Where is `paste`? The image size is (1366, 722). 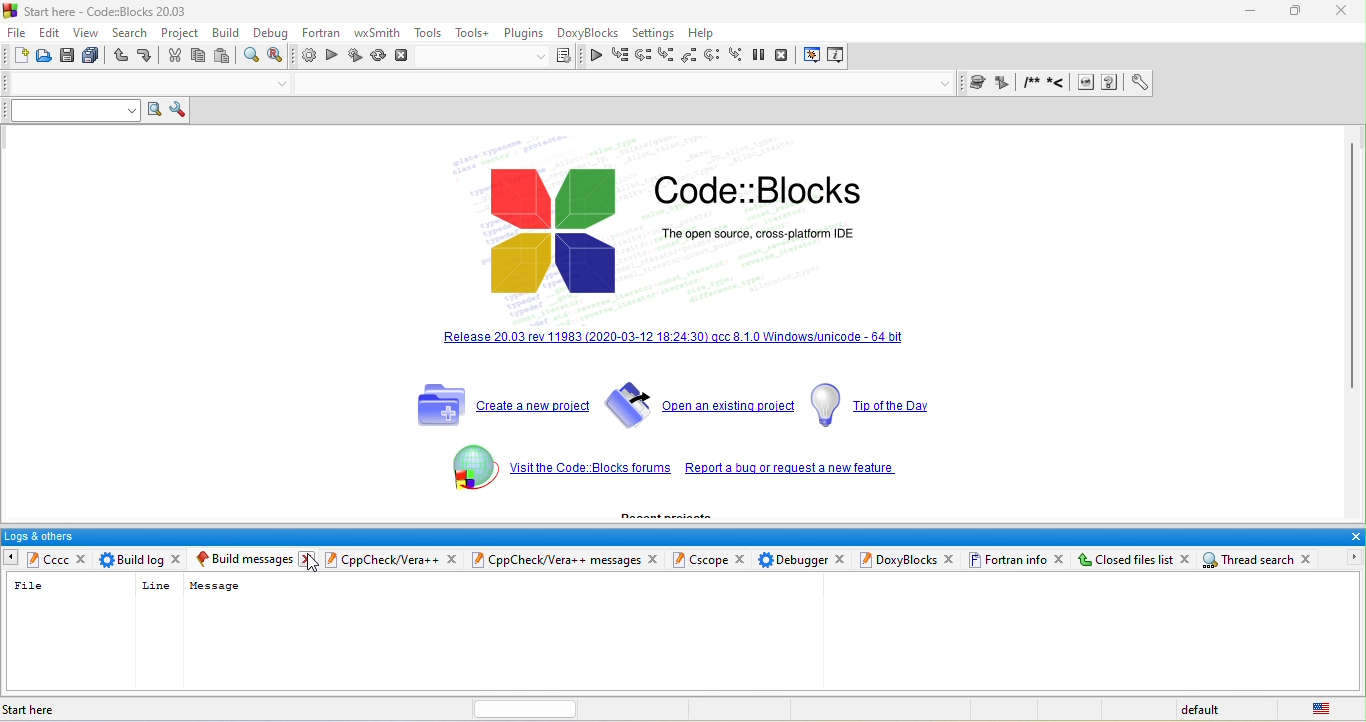 paste is located at coordinates (222, 56).